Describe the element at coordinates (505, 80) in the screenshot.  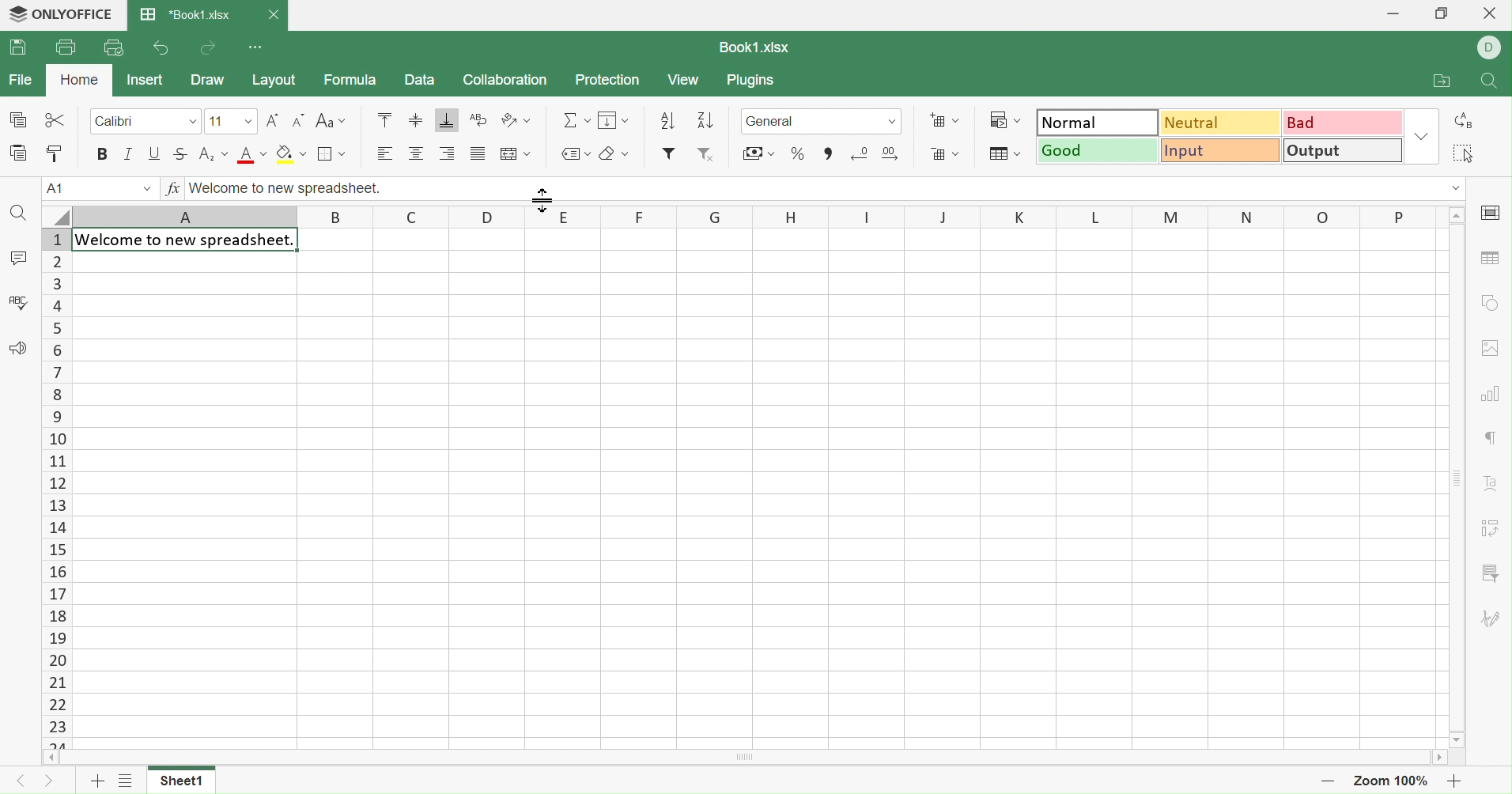
I see `Collection` at that location.